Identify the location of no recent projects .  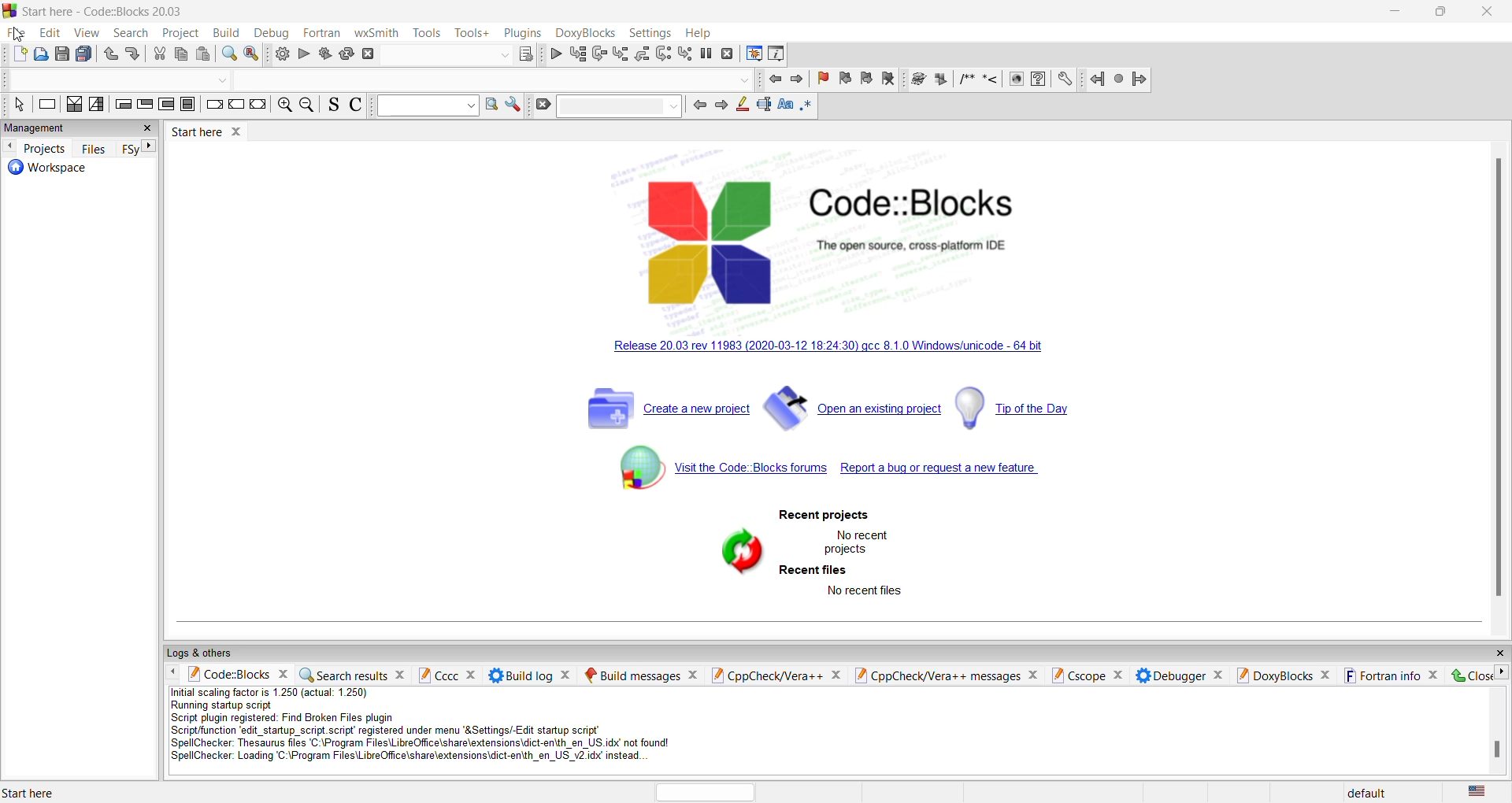
(862, 542).